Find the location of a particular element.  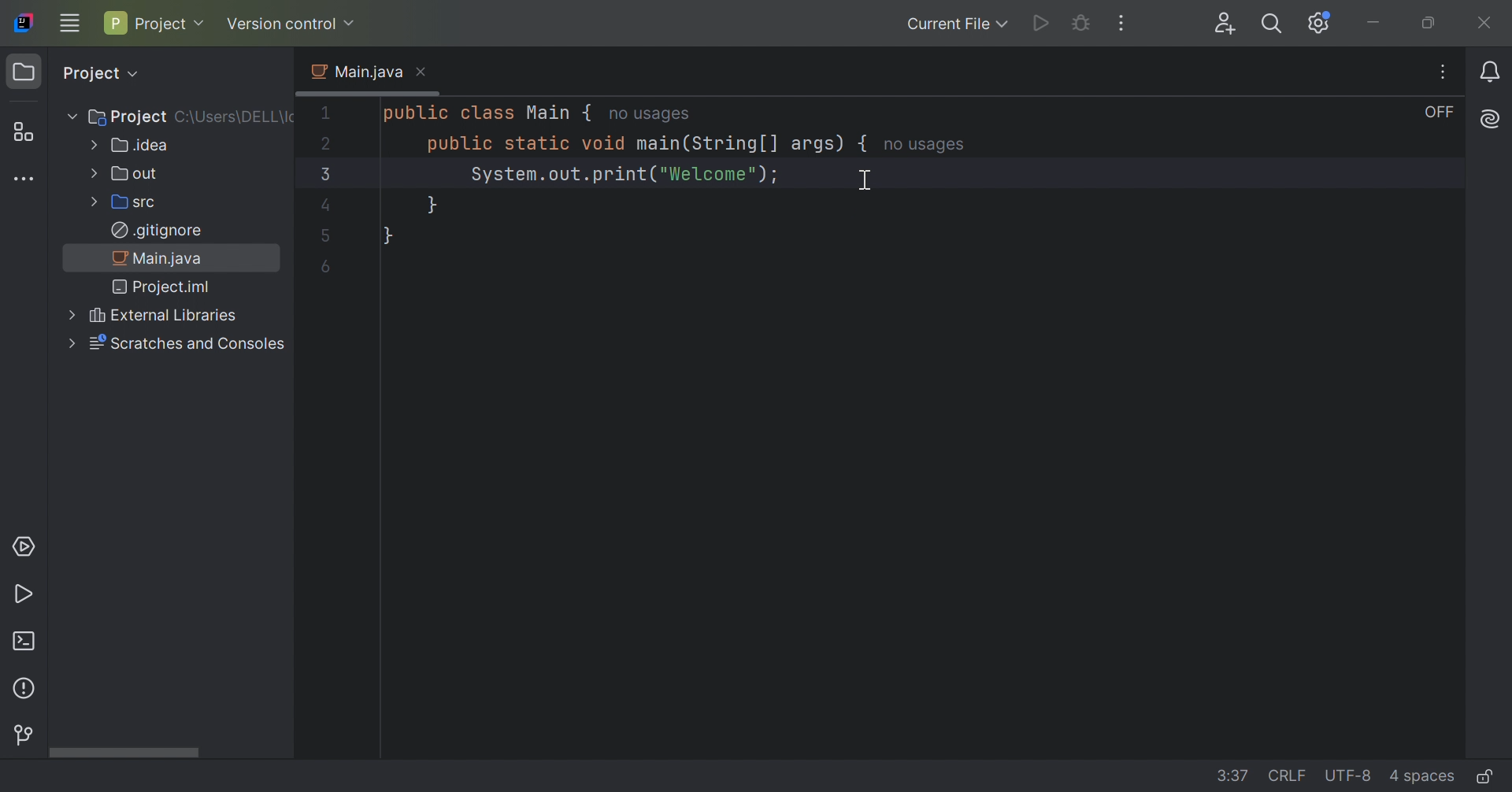

CRLF is located at coordinates (1289, 775).